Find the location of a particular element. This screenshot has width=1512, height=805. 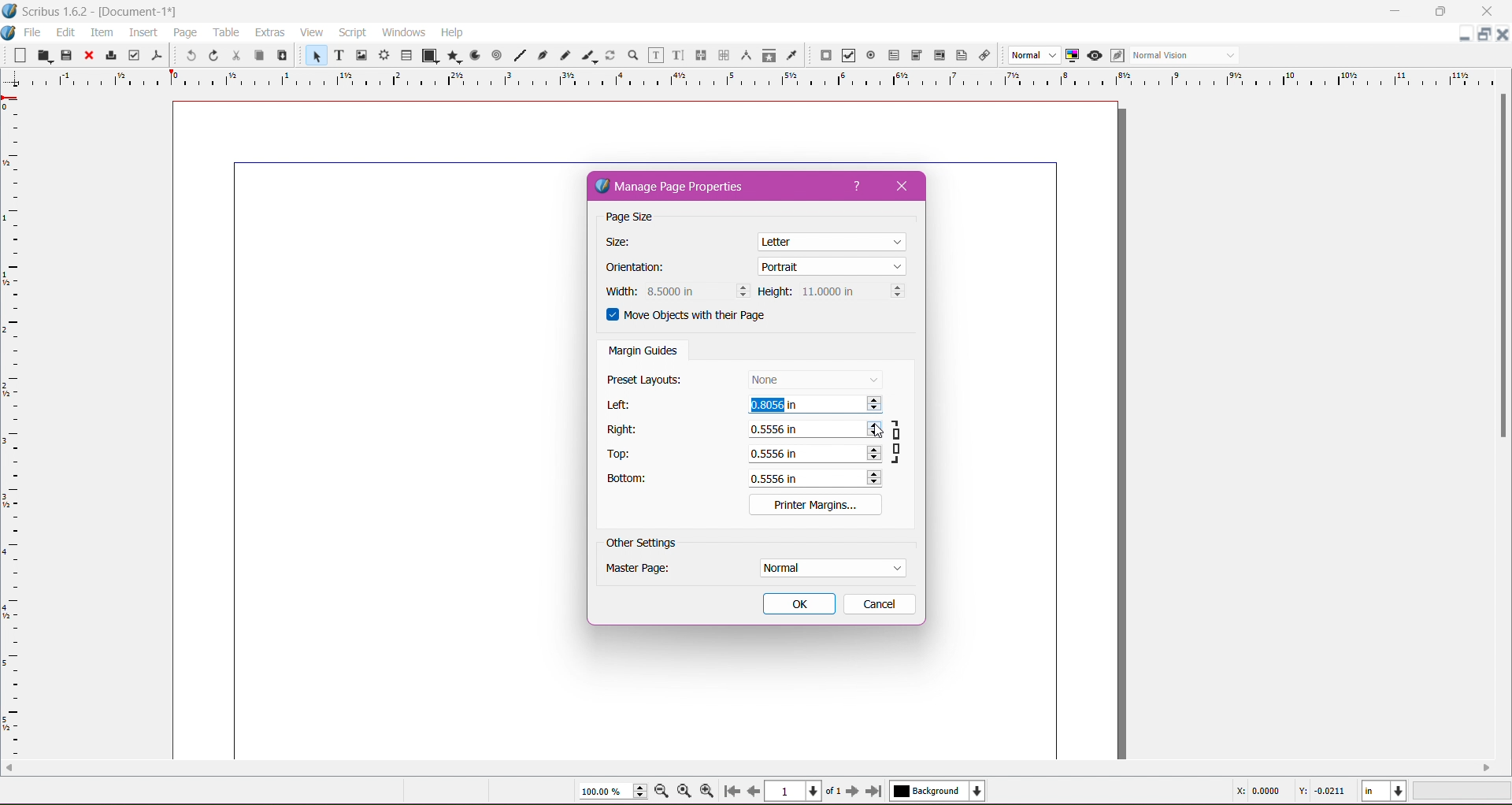

Go to last page is located at coordinates (875, 792).